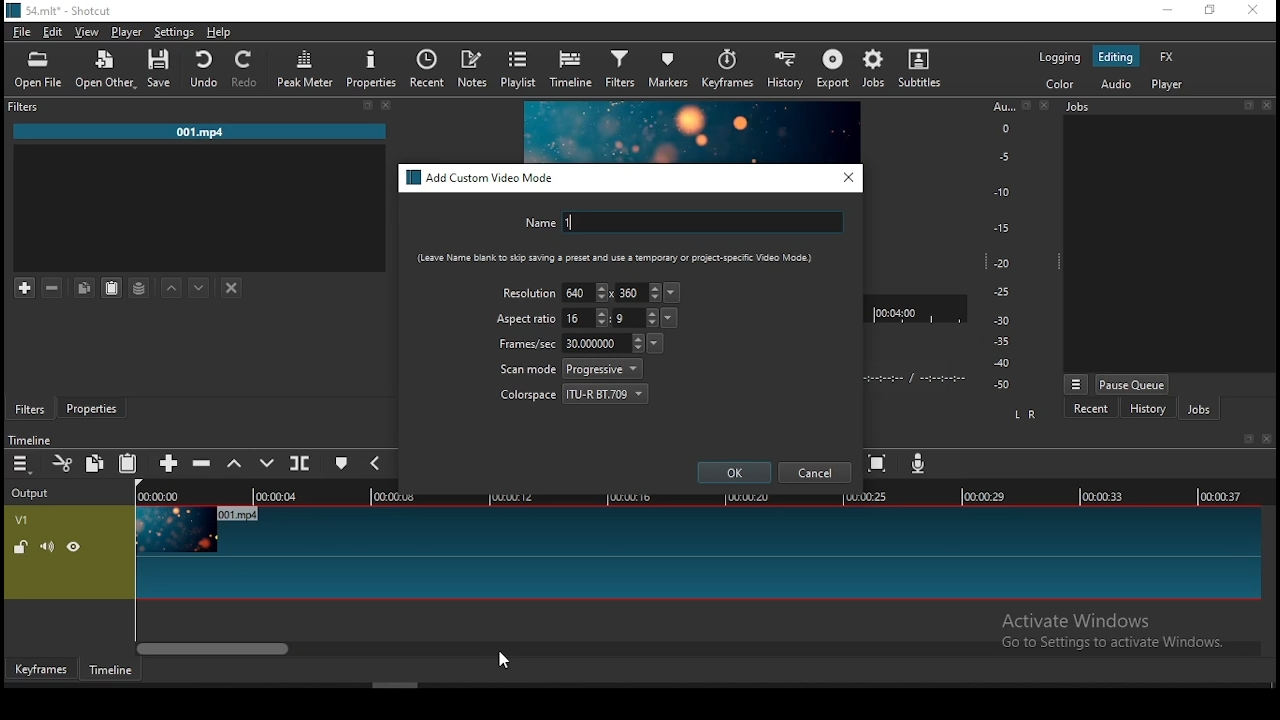 The height and width of the screenshot is (720, 1280). Describe the element at coordinates (529, 292) in the screenshot. I see `resolution` at that location.